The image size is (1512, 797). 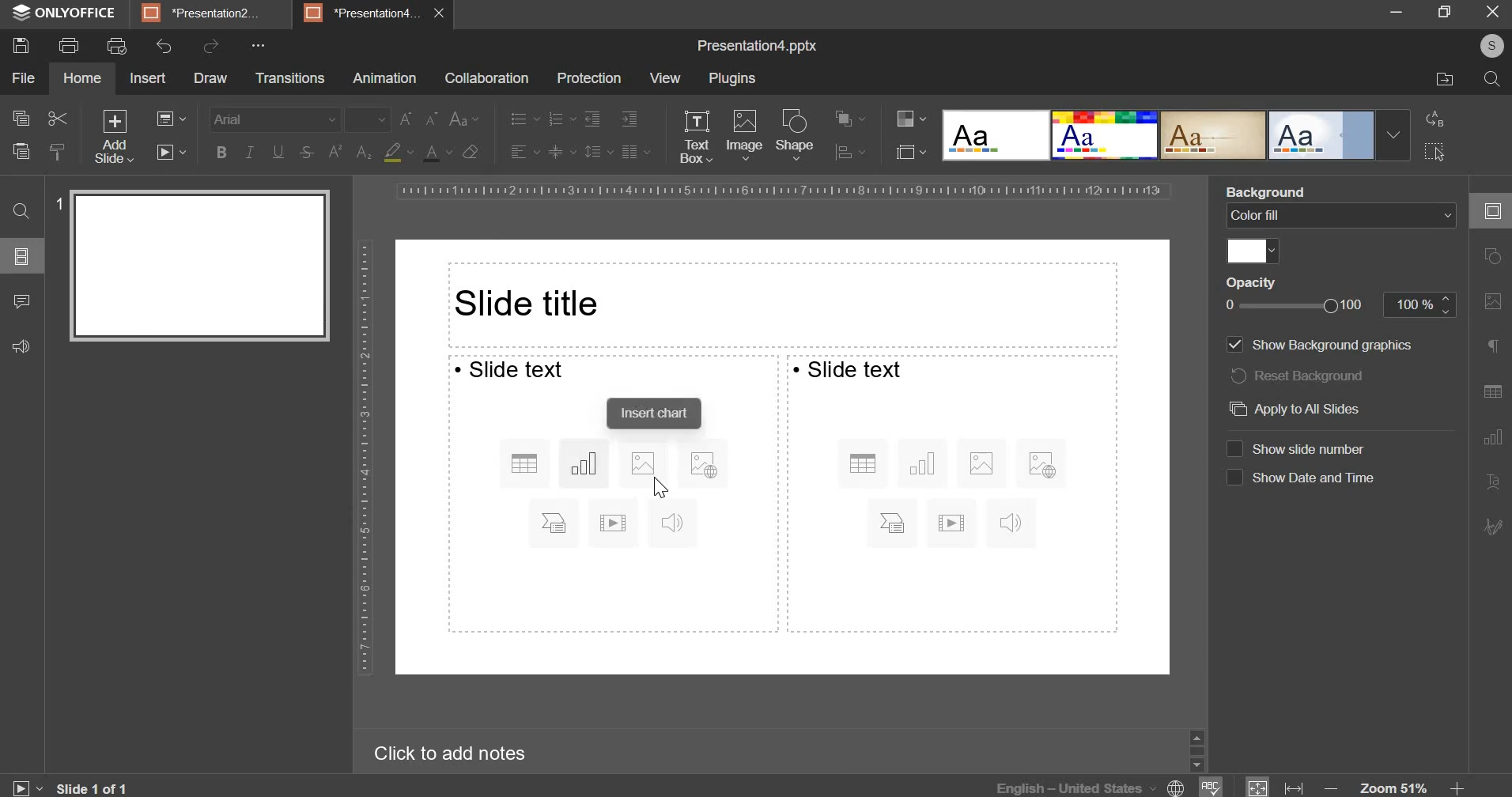 What do you see at coordinates (1434, 150) in the screenshot?
I see `select` at bounding box center [1434, 150].